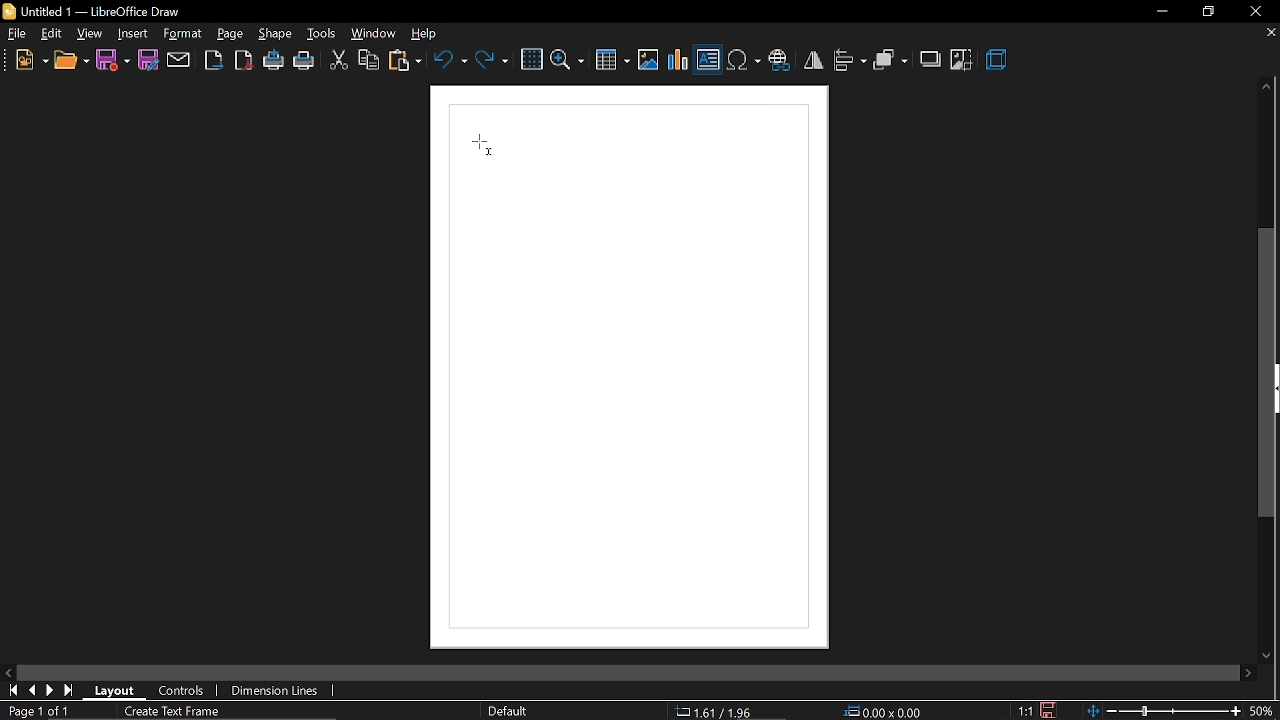 The image size is (1280, 720). What do you see at coordinates (511, 711) in the screenshot?
I see `page style` at bounding box center [511, 711].